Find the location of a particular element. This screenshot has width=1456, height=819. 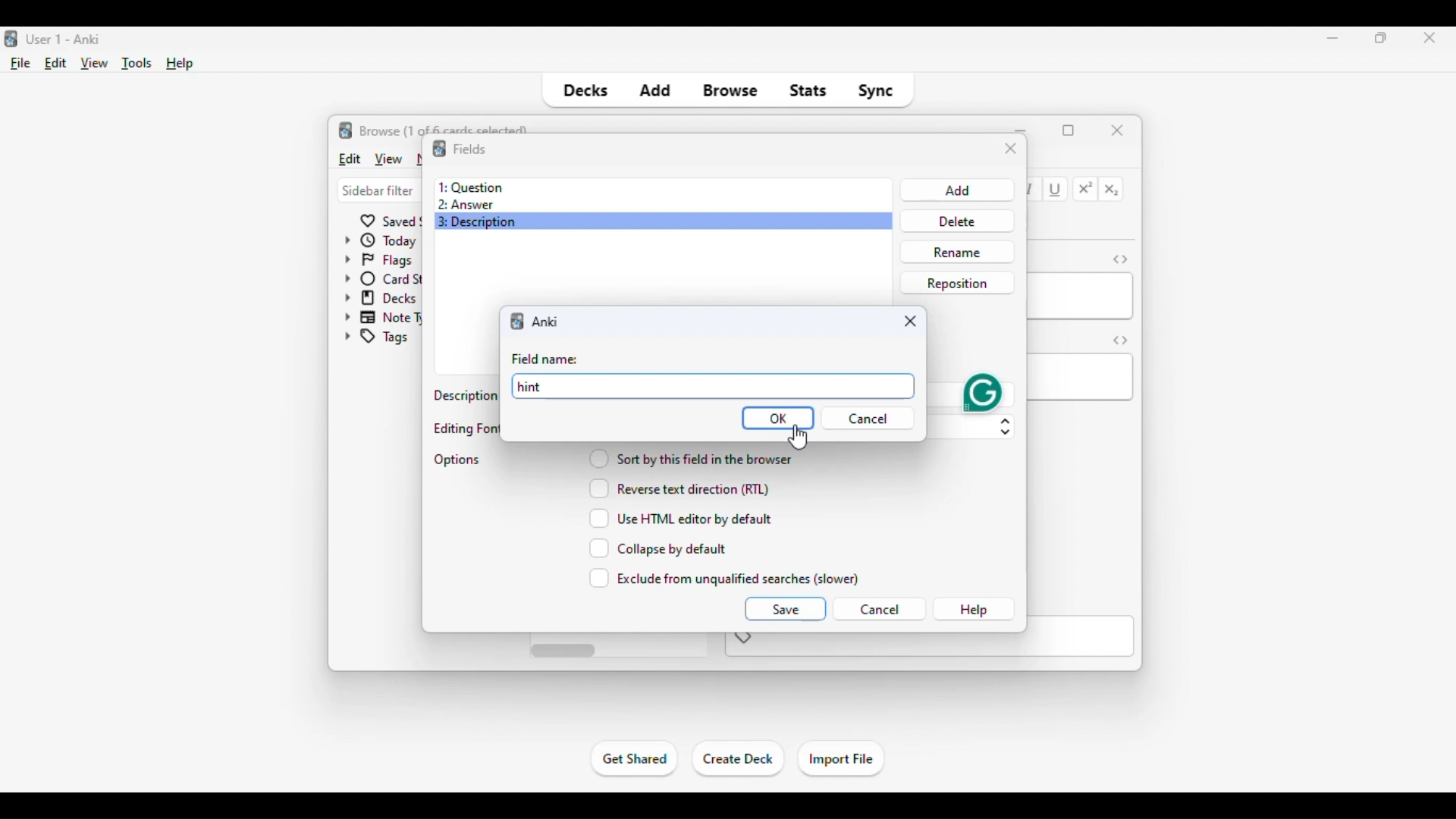

Grammarly Logo is located at coordinates (983, 393).